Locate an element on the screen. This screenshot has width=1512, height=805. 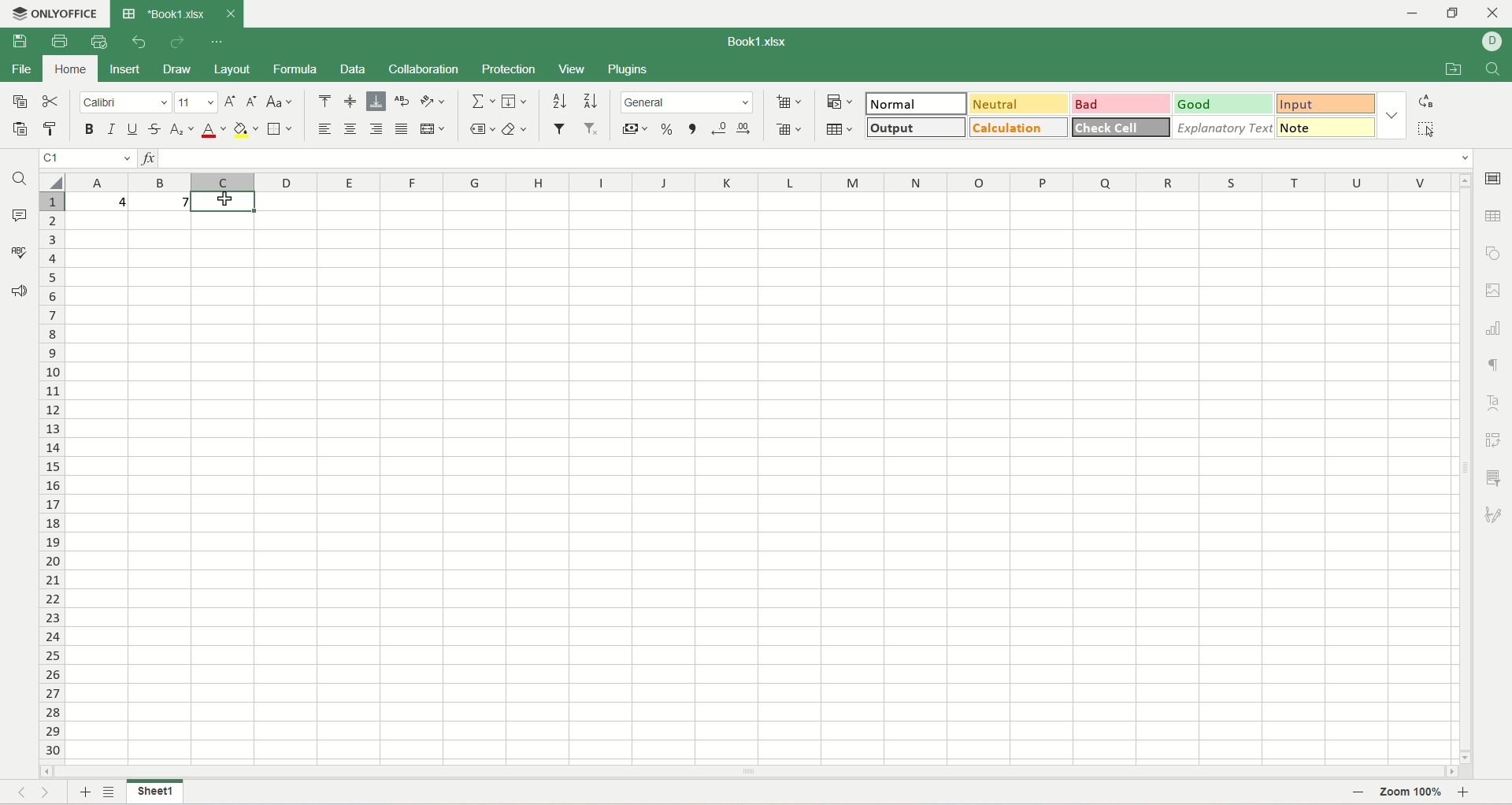
feedback and support is located at coordinates (19, 294).